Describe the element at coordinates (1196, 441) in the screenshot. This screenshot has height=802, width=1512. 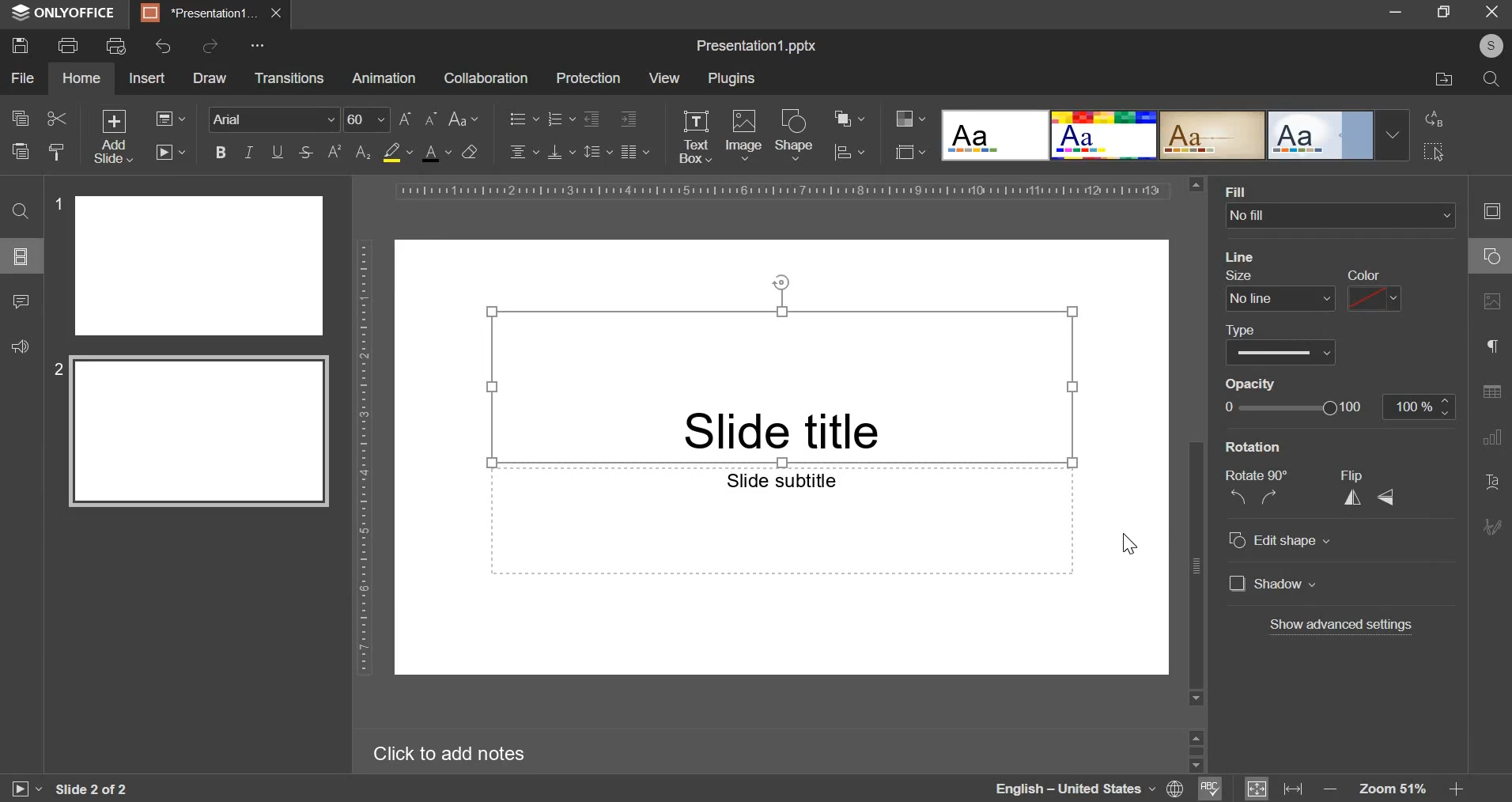
I see `scroll bar` at that location.